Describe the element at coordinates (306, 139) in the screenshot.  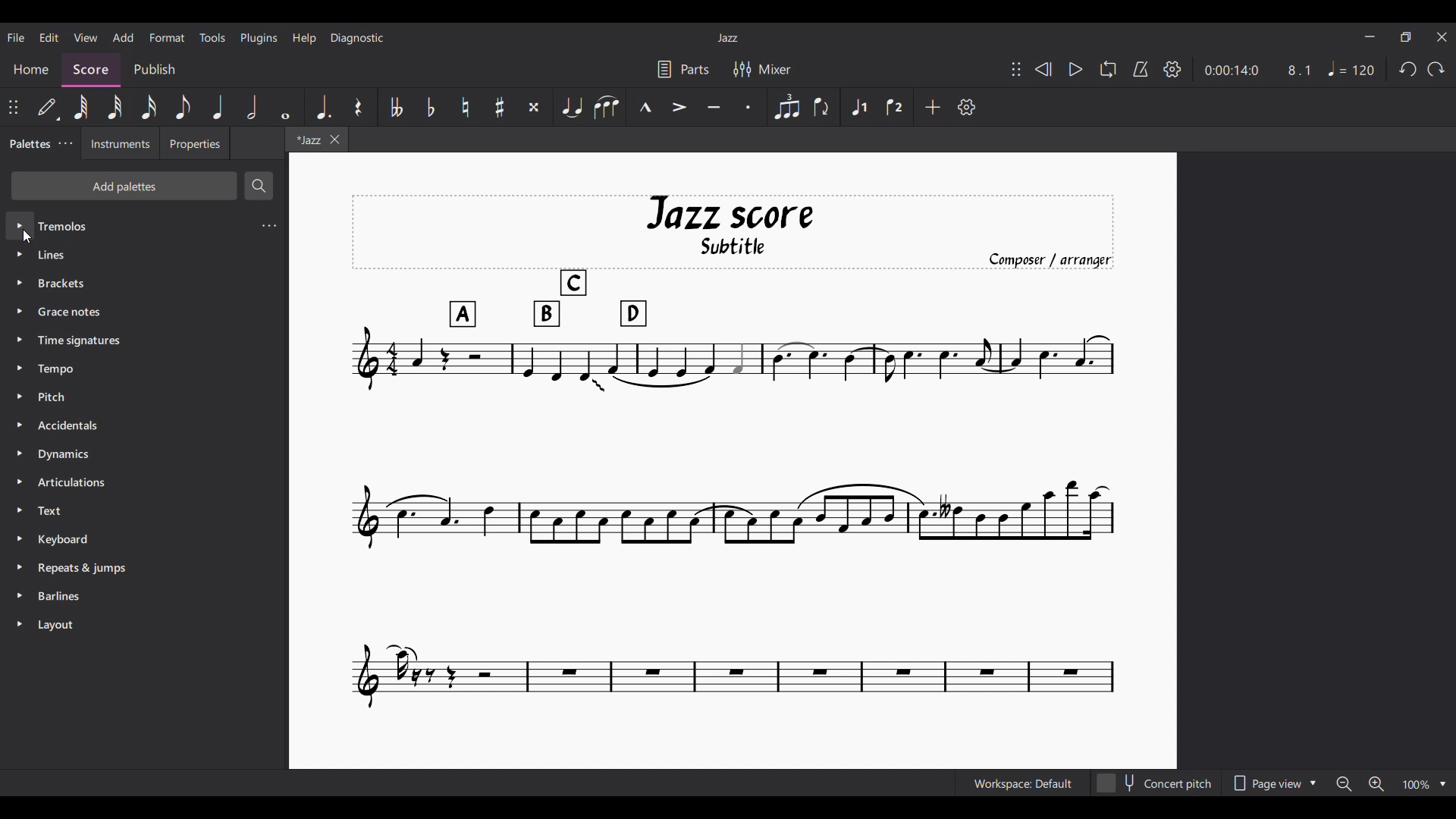
I see `*Jazz` at that location.